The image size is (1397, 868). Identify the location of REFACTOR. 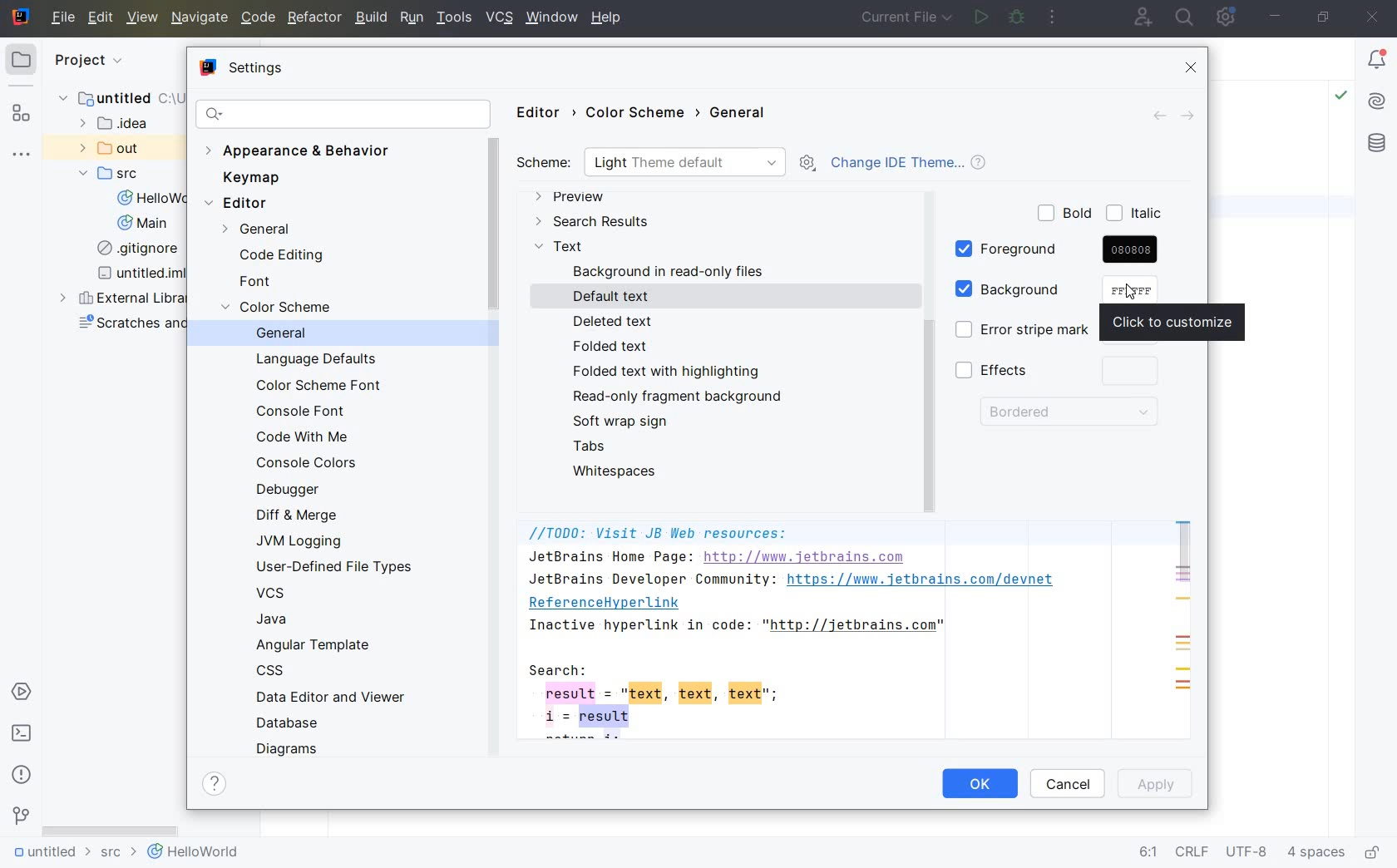
(313, 20).